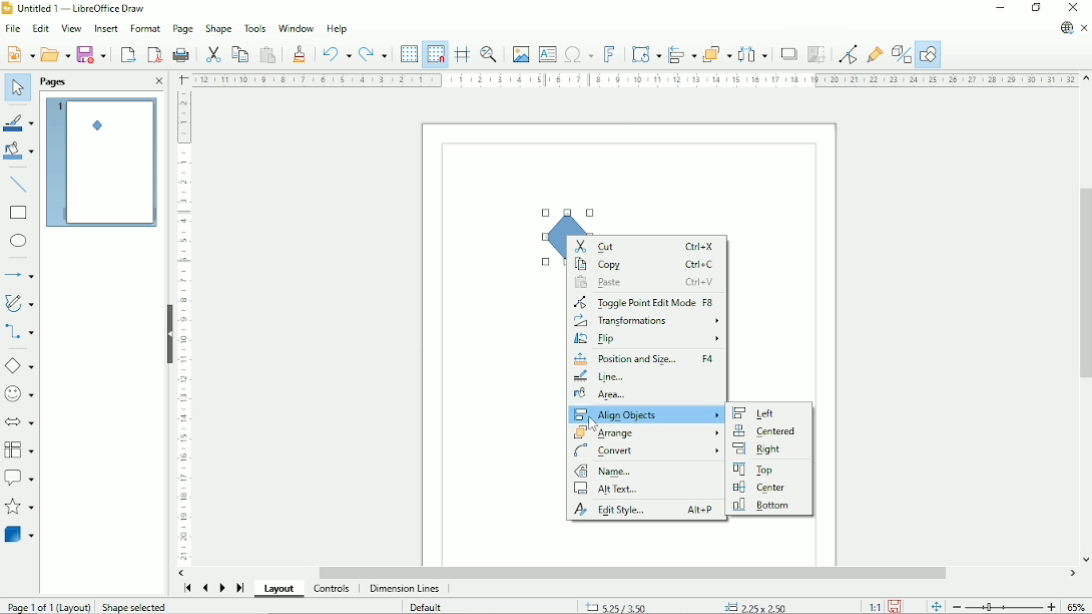  Describe the element at coordinates (1085, 559) in the screenshot. I see `Vertical scroll button` at that location.